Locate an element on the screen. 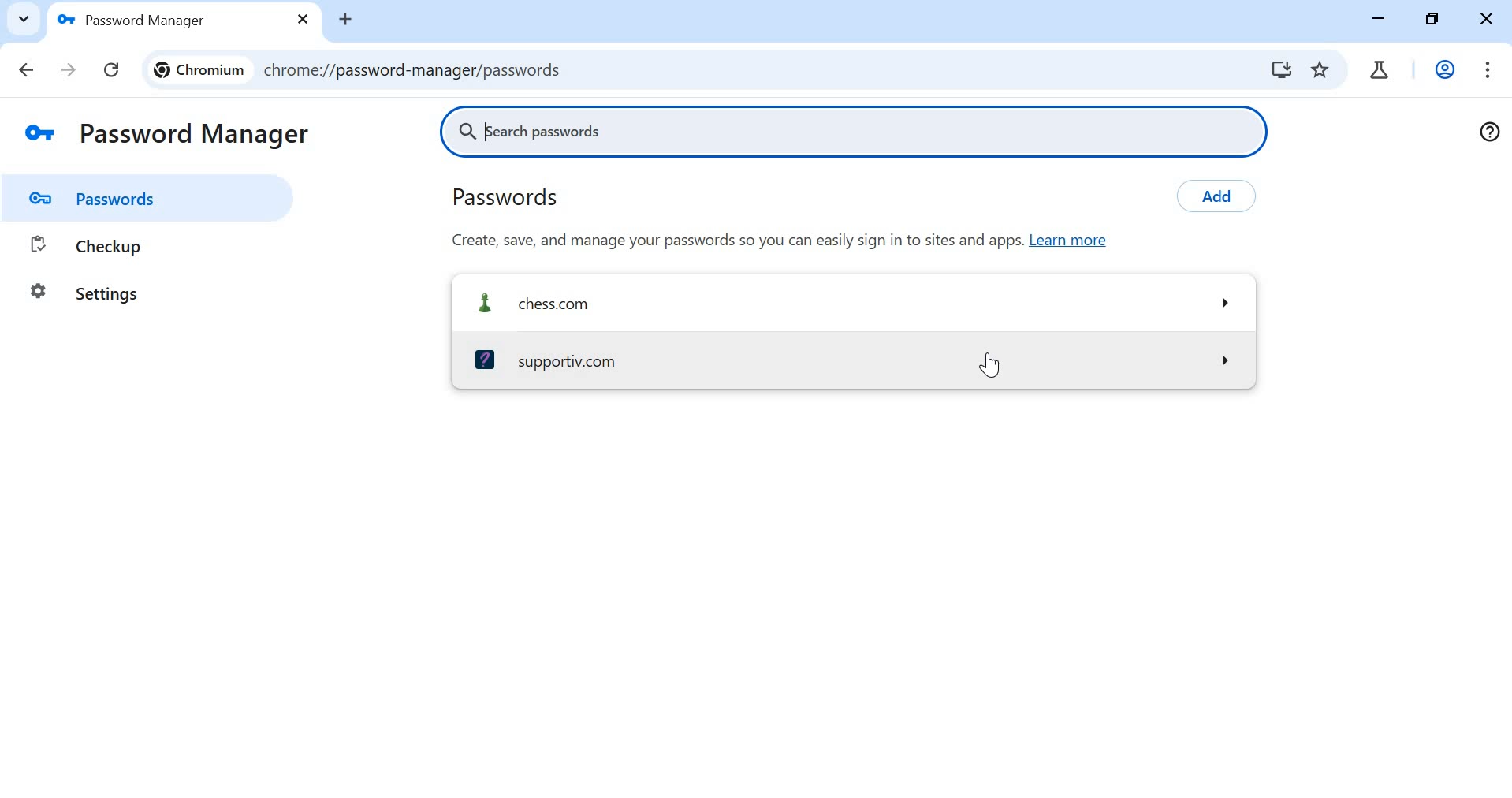 The width and height of the screenshot is (1512, 798). customize and control chromium is located at coordinates (1491, 69).